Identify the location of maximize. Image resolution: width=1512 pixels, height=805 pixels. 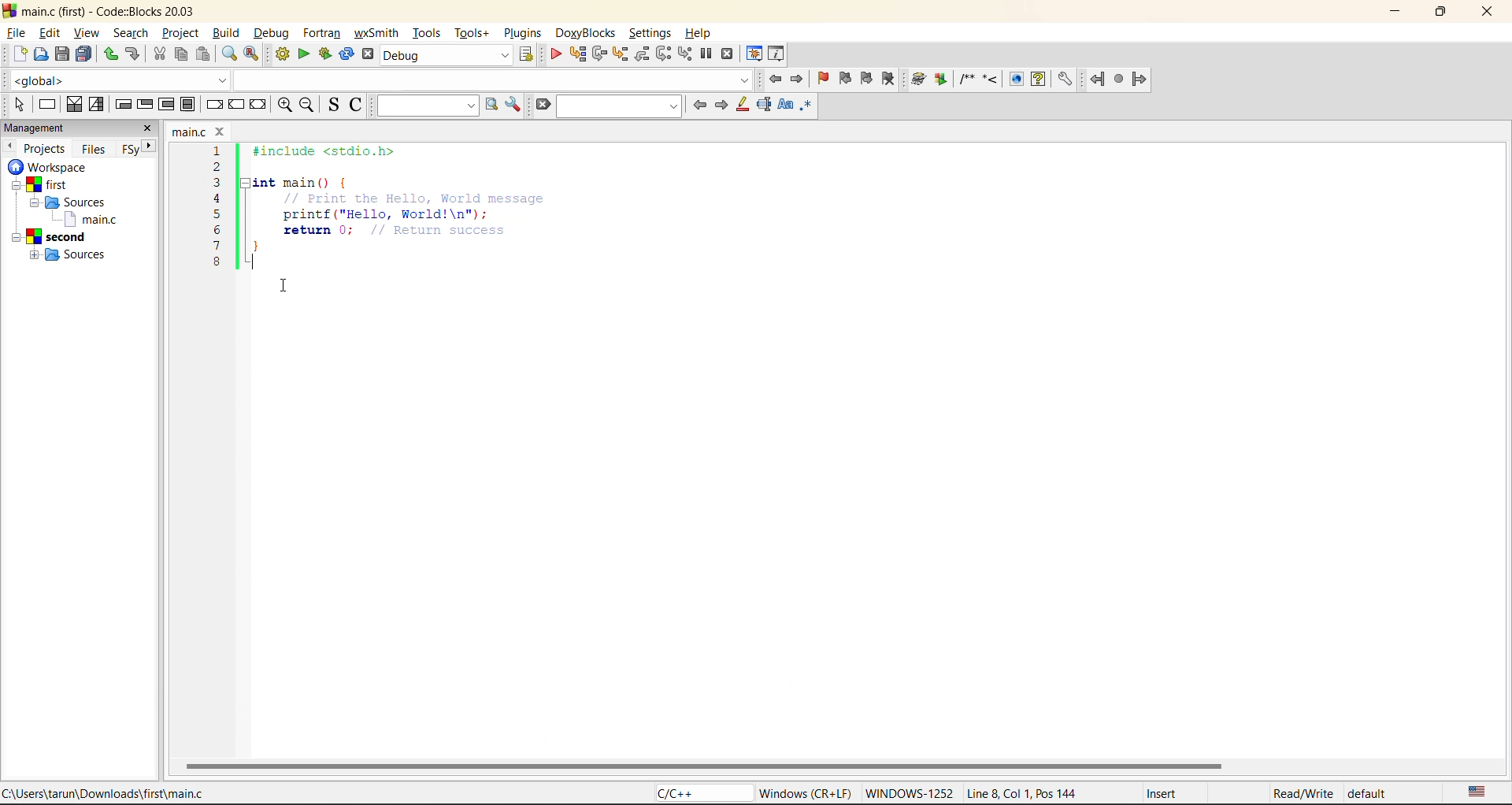
(1441, 11).